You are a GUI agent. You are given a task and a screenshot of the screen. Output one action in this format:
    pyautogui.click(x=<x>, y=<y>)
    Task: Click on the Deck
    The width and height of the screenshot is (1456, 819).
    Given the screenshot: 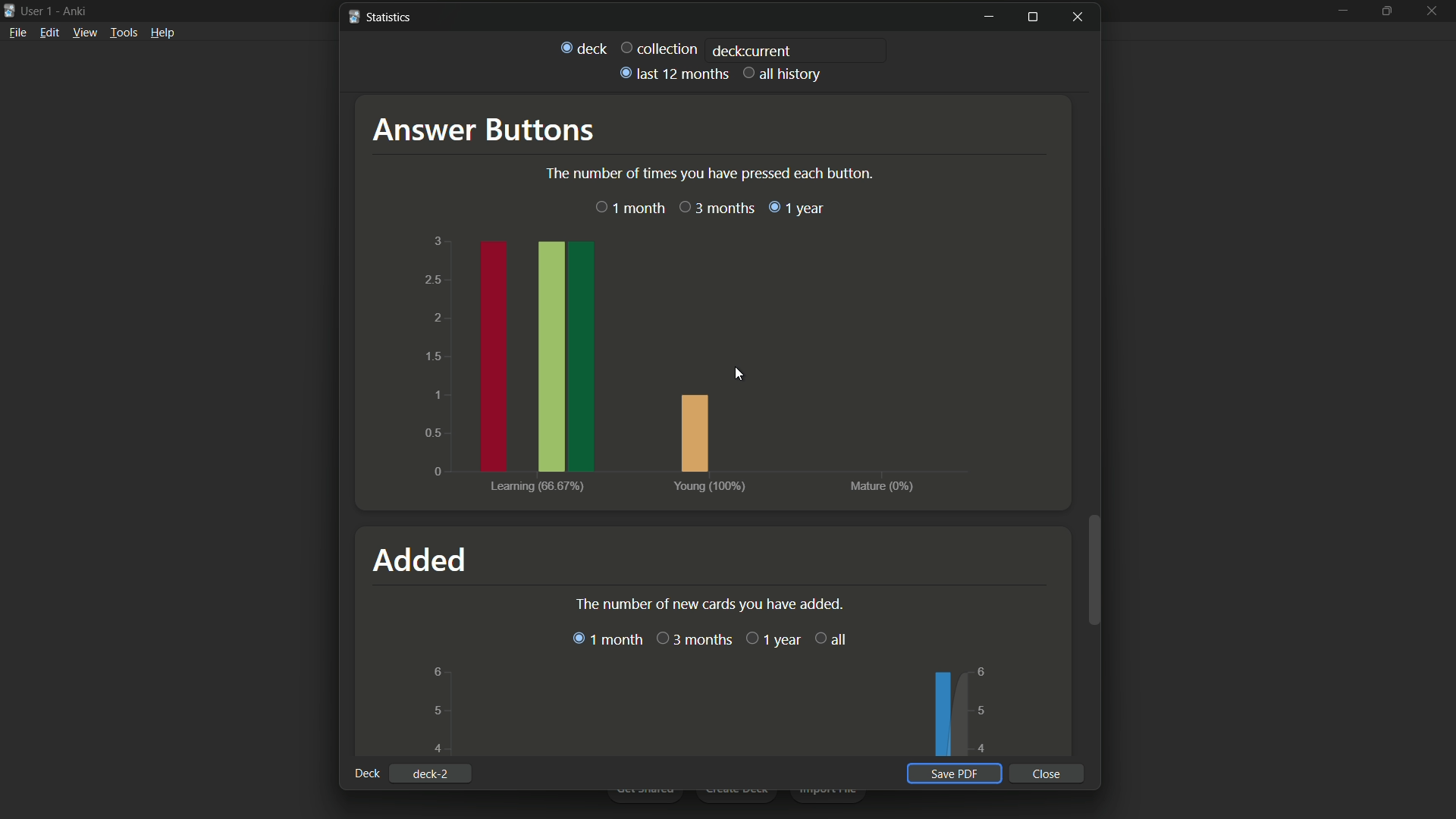 What is the action you would take?
    pyautogui.click(x=366, y=773)
    